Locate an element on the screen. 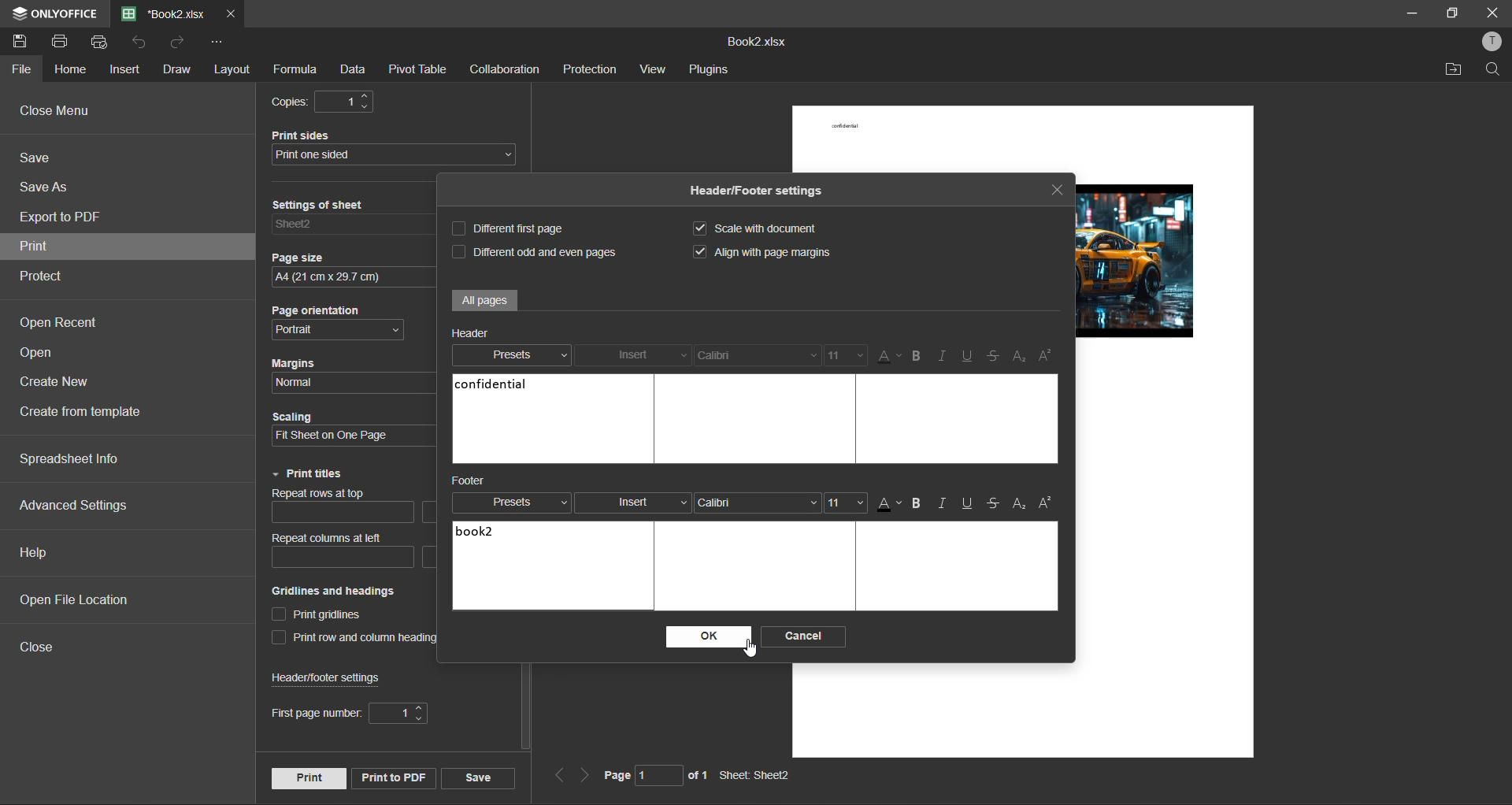 The image size is (1512, 805). strikethrough is located at coordinates (997, 503).